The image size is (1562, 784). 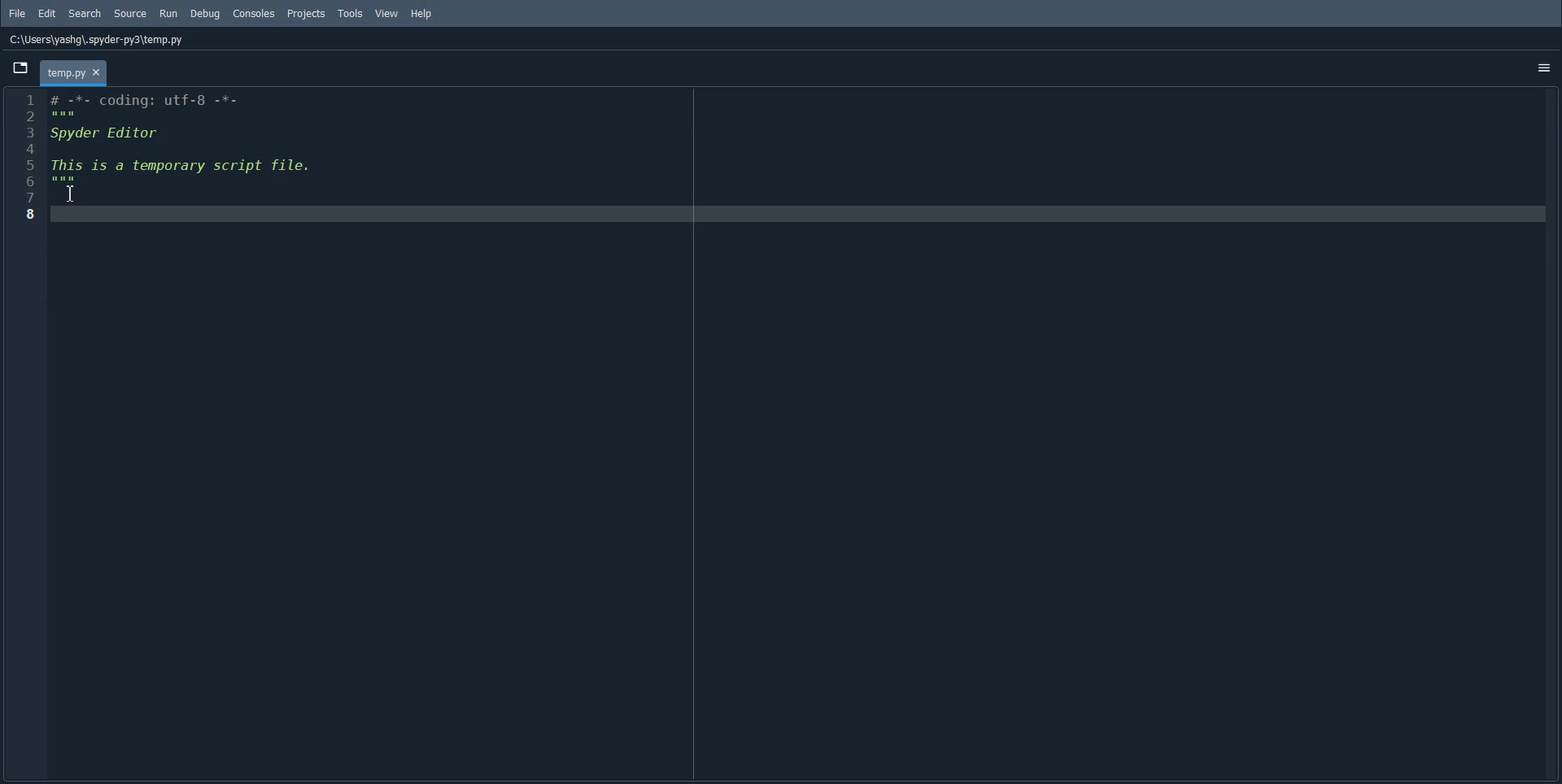 I want to click on View, so click(x=387, y=13).